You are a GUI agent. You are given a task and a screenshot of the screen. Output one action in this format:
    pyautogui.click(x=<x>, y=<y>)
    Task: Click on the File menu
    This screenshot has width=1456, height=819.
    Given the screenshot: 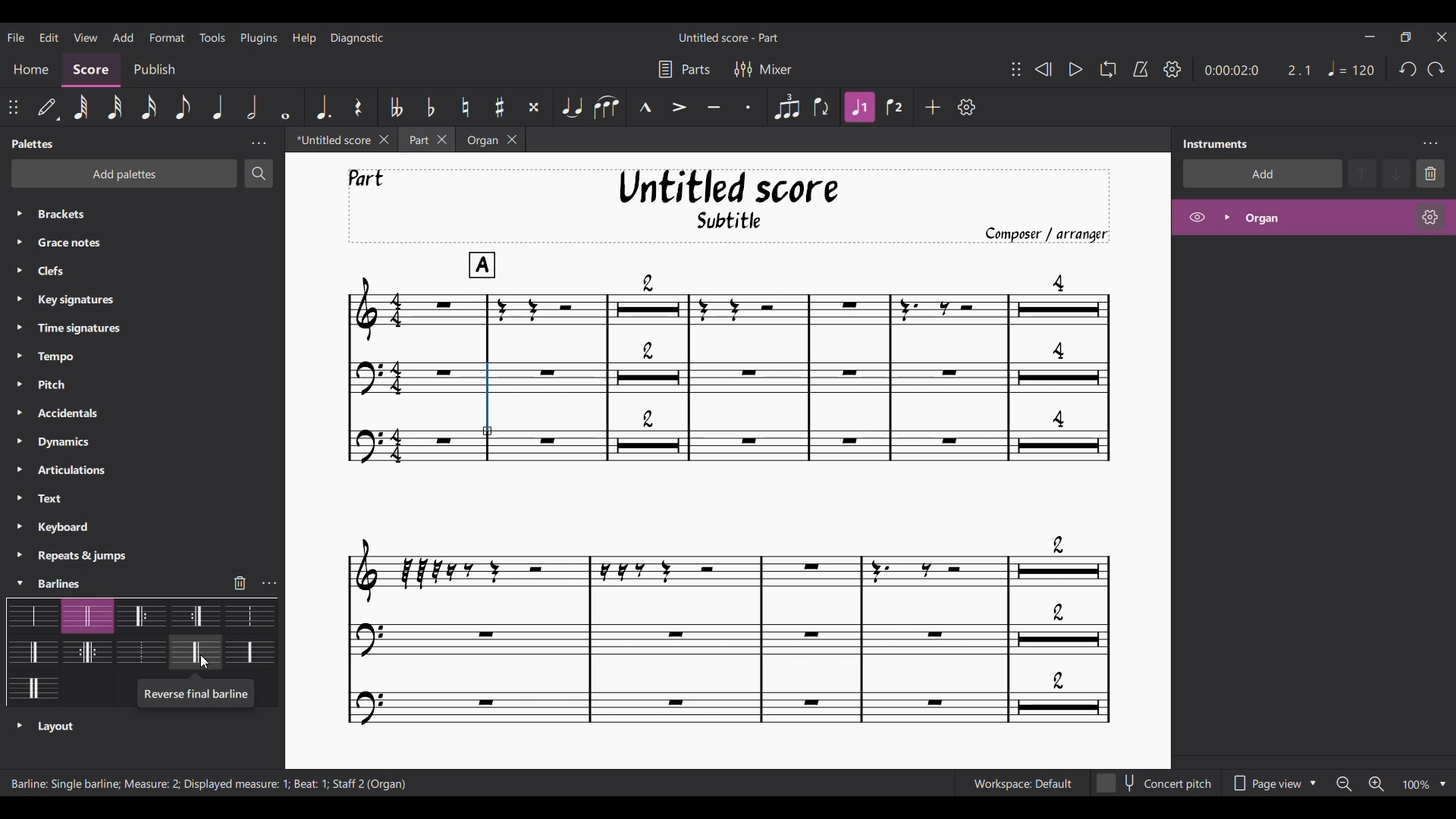 What is the action you would take?
    pyautogui.click(x=16, y=36)
    